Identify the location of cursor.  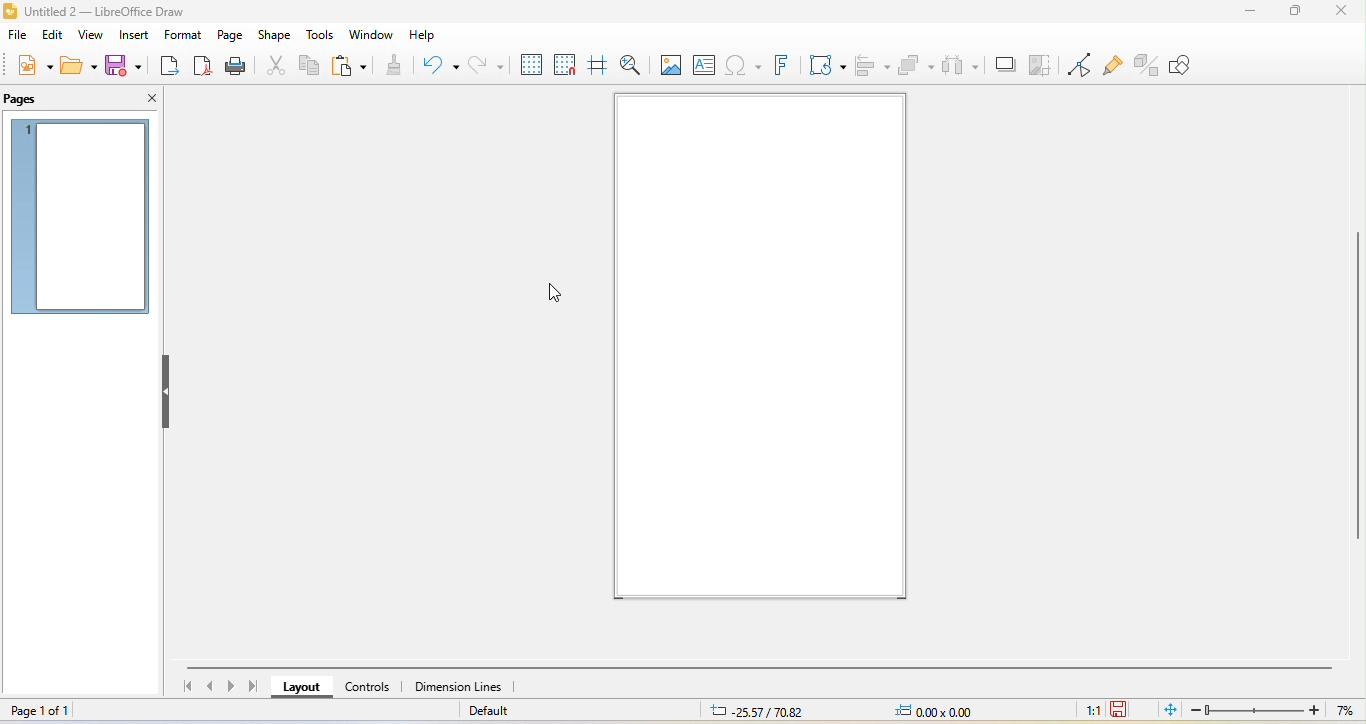
(556, 290).